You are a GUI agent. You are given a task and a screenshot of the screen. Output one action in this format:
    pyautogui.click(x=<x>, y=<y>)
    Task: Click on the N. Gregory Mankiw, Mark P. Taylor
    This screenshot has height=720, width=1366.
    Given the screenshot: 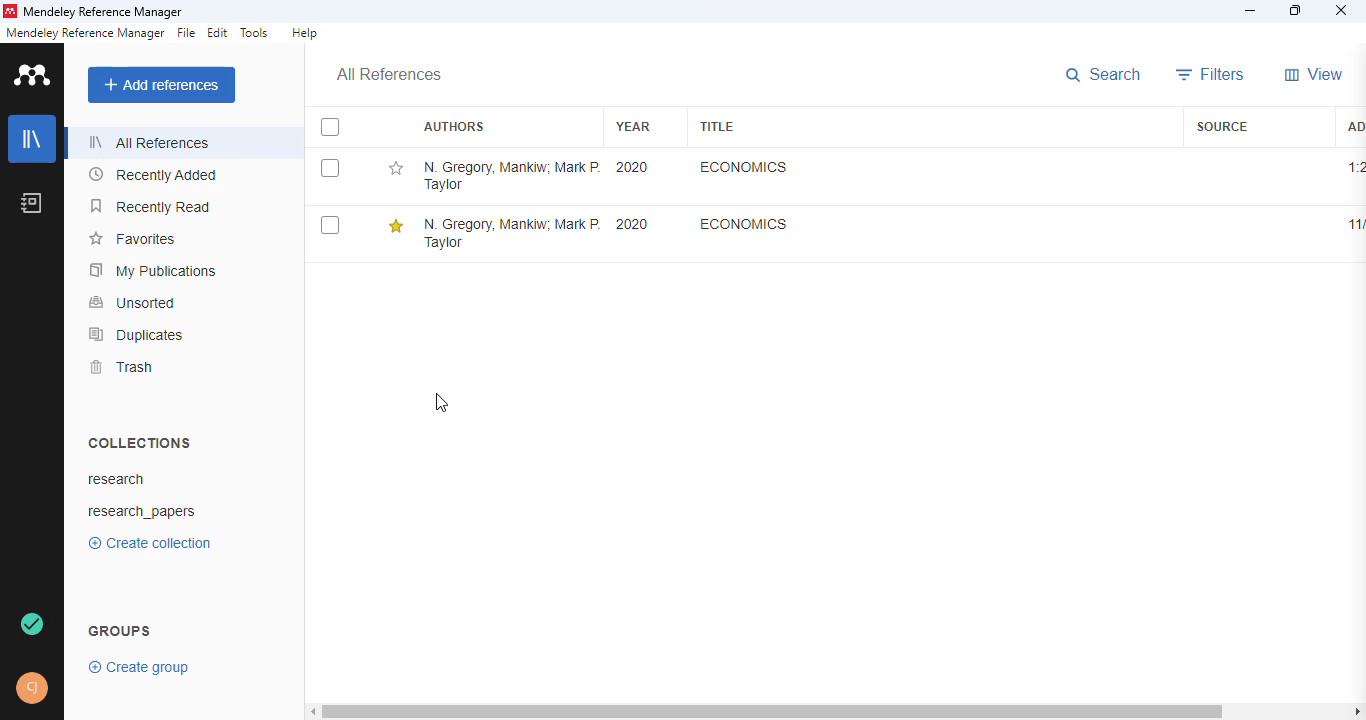 What is the action you would take?
    pyautogui.click(x=511, y=176)
    